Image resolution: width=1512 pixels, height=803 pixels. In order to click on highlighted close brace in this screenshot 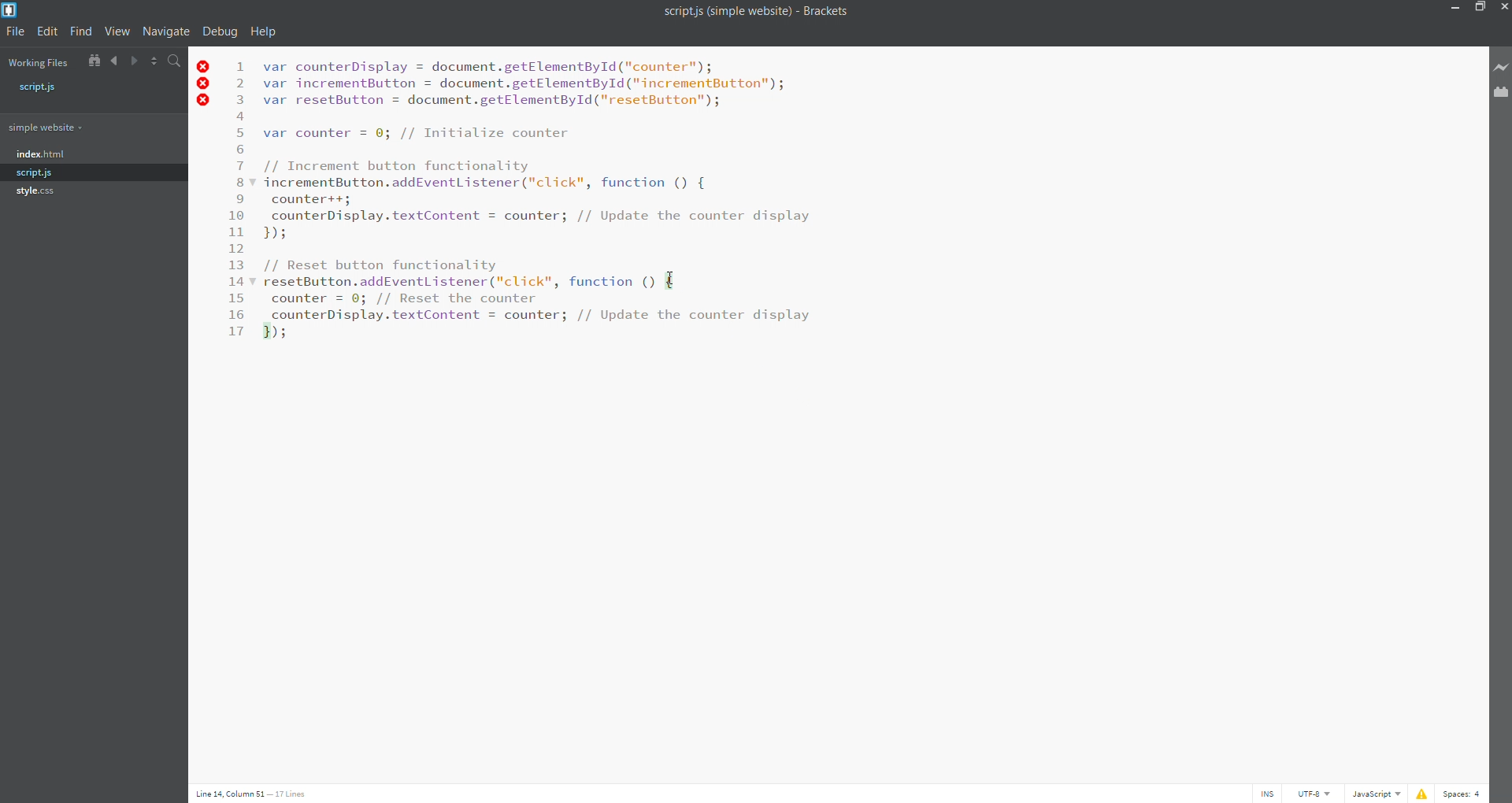, I will do `click(265, 333)`.